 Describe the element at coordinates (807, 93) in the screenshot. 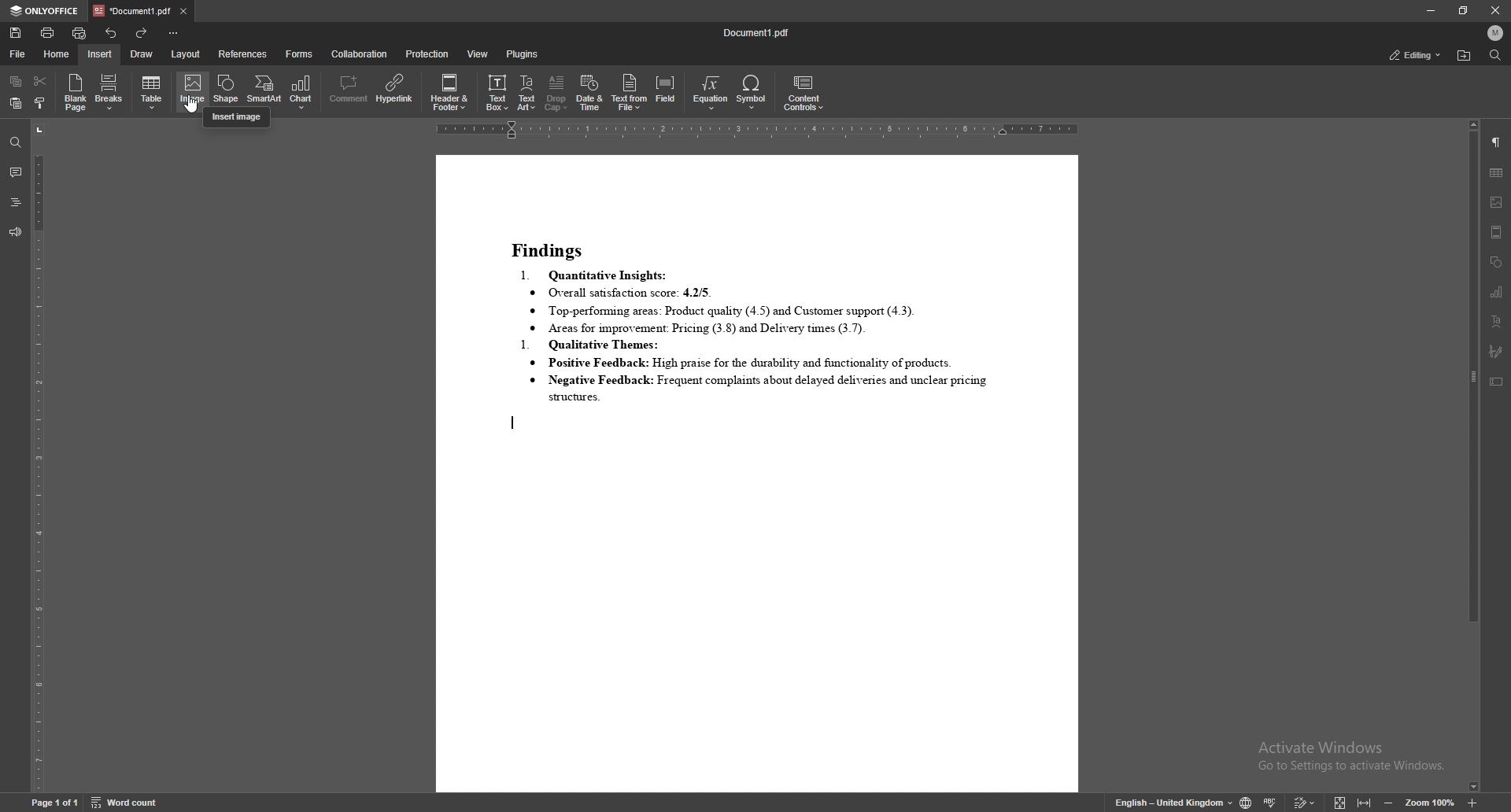

I see `content controls` at that location.